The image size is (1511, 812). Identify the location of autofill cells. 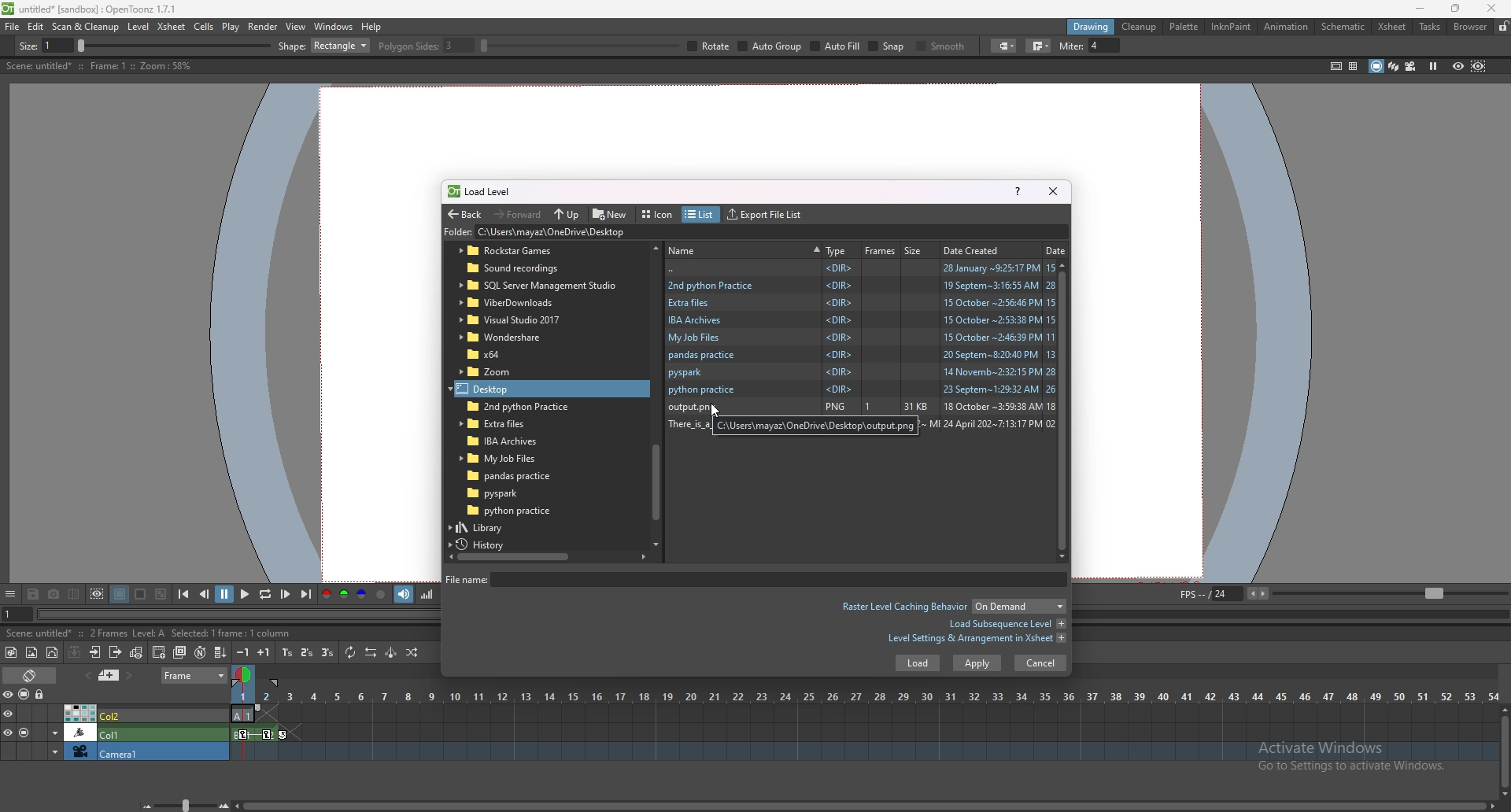
(220, 652).